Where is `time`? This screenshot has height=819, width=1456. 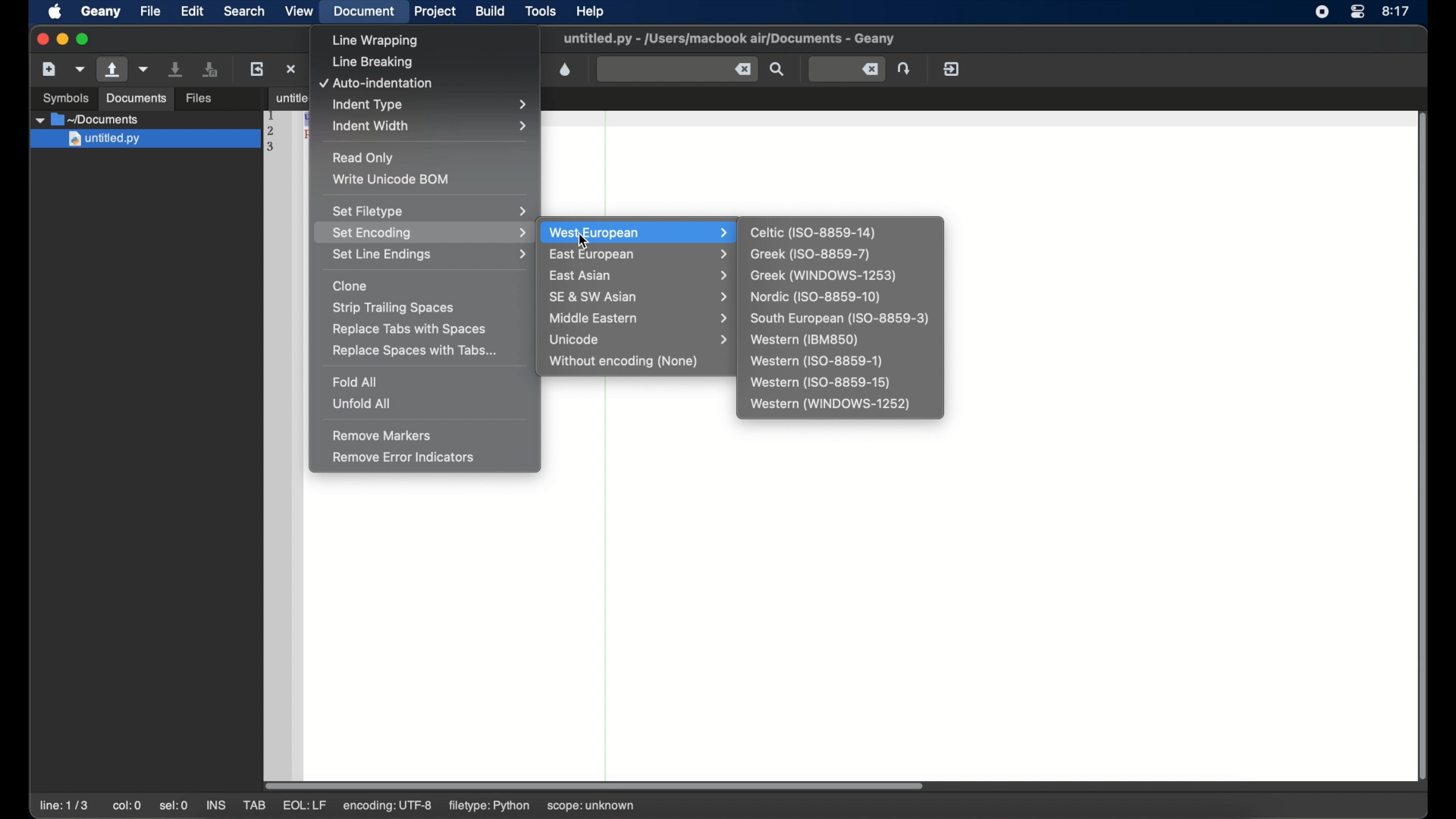
time is located at coordinates (1397, 11).